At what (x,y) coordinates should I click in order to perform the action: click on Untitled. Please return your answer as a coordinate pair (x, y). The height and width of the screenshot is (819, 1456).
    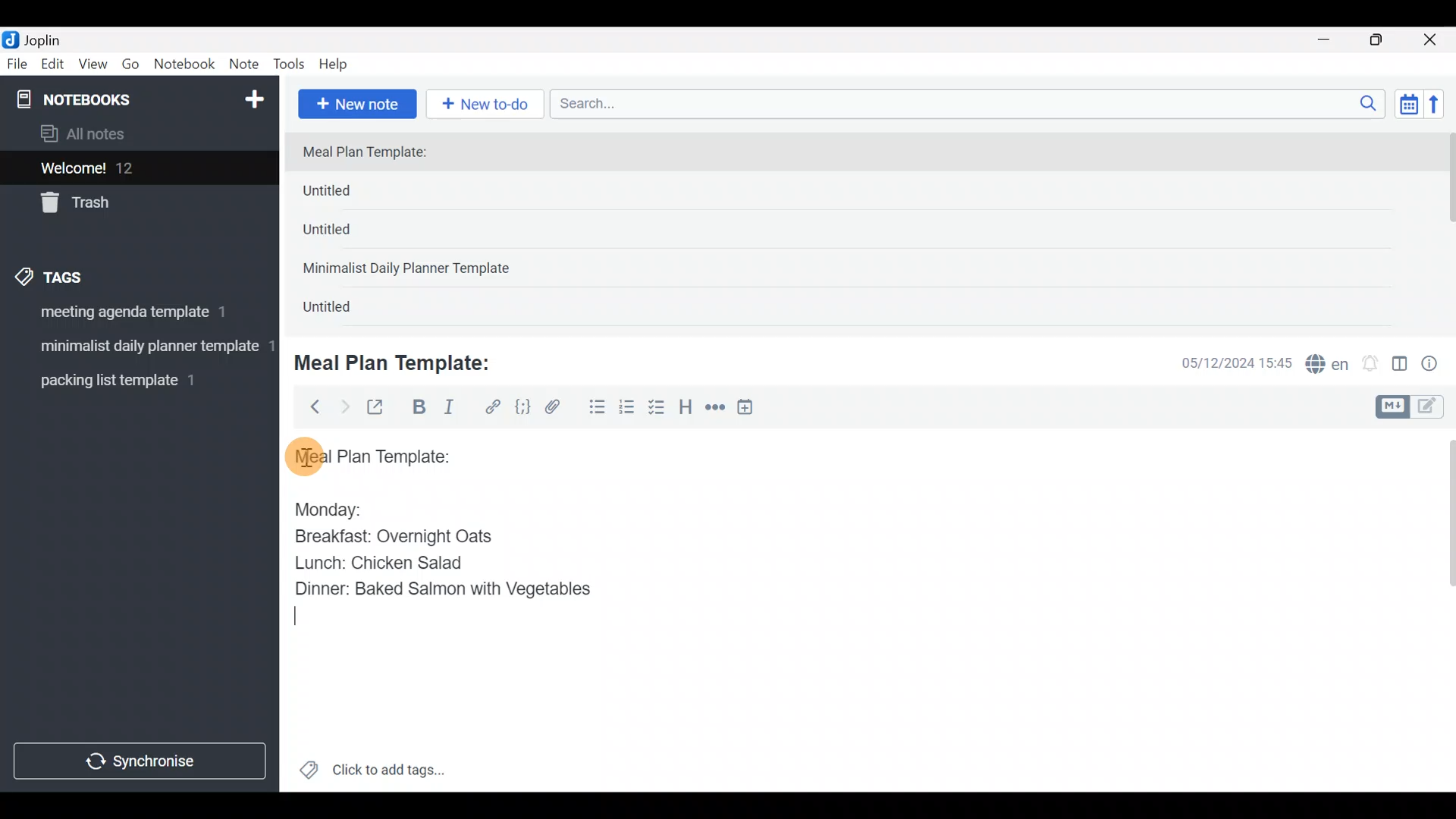
    Looking at the image, I should click on (352, 194).